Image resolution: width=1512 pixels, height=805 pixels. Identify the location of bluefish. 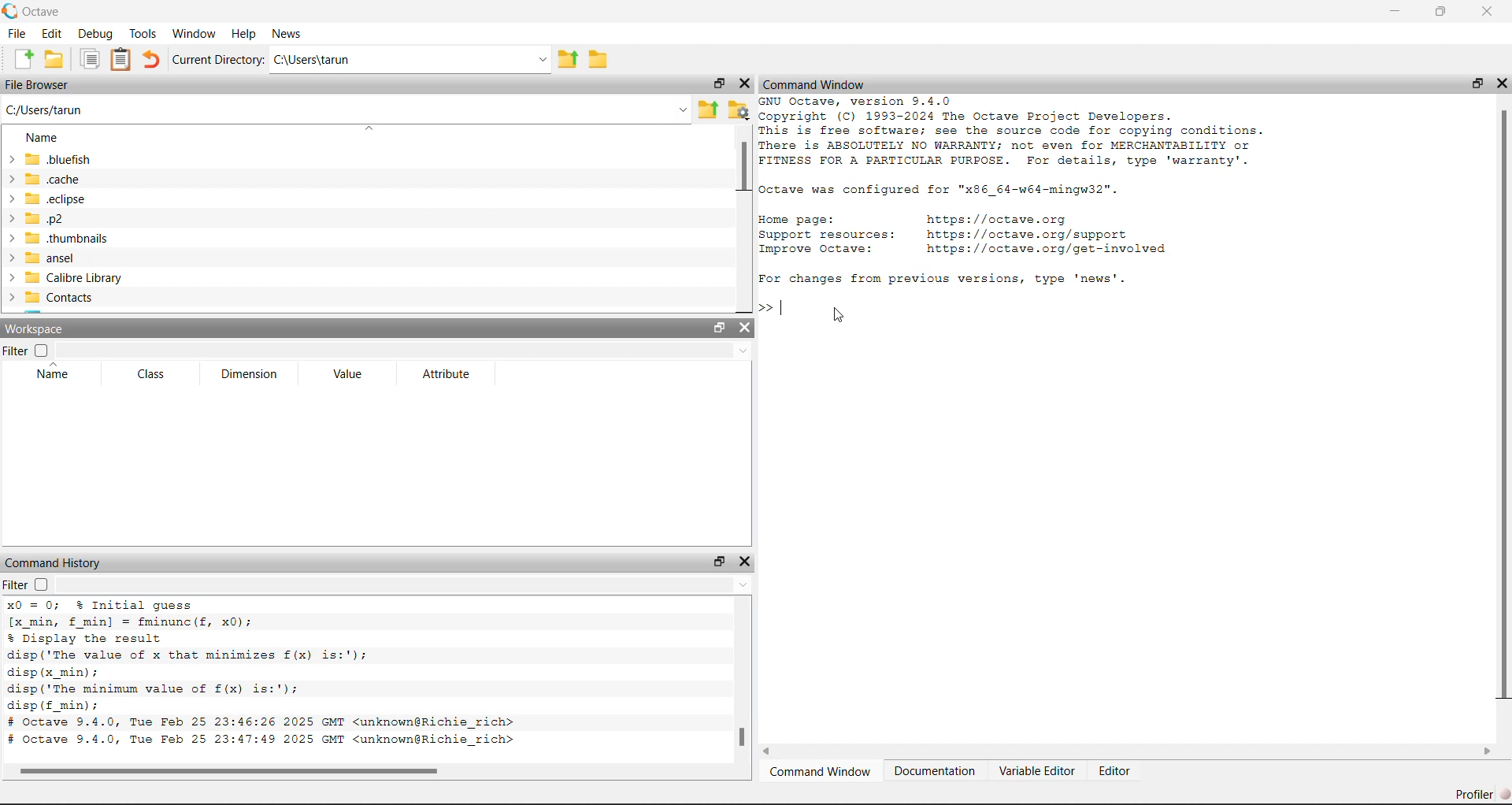
(52, 160).